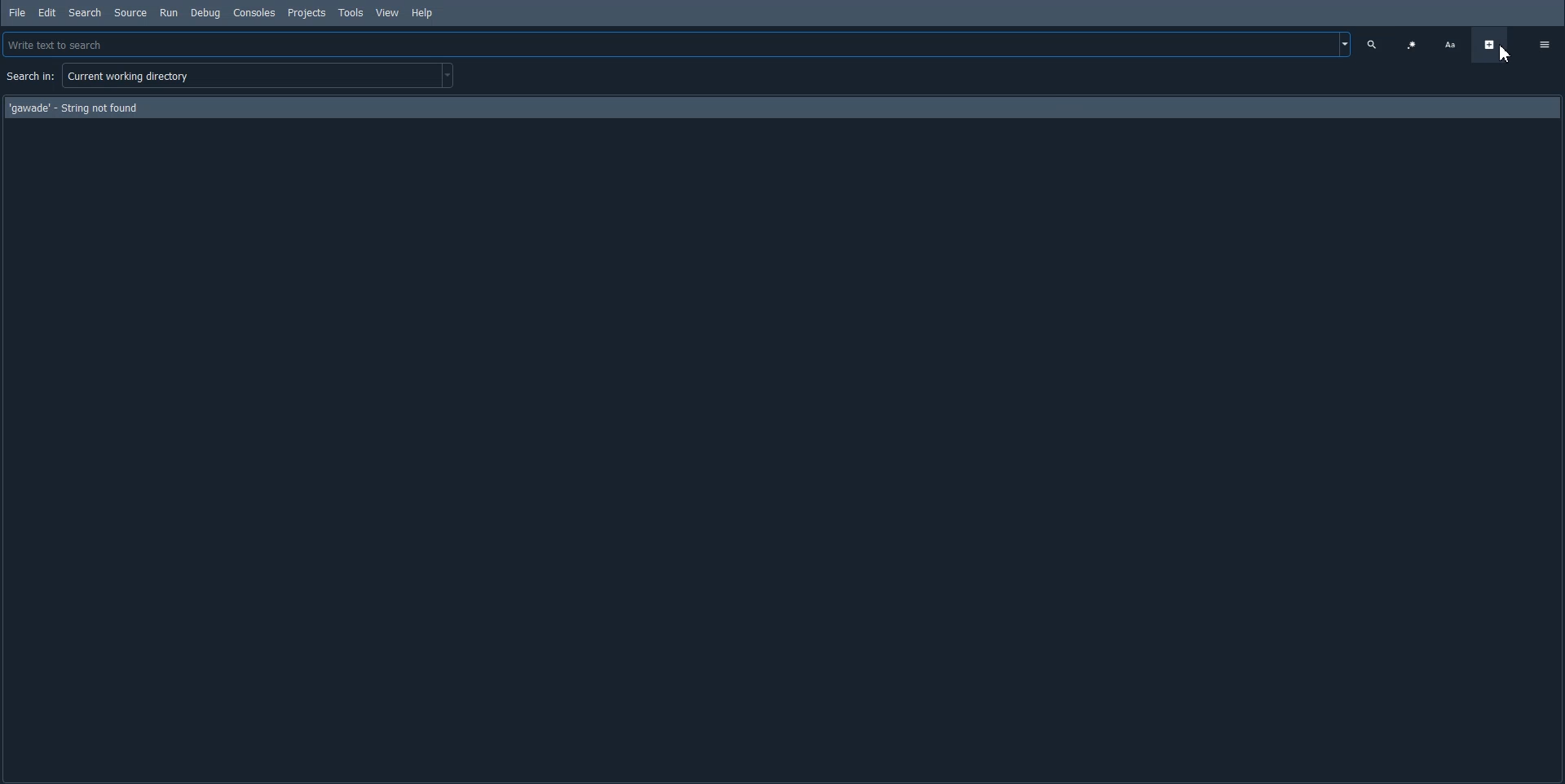 This screenshot has width=1565, height=784. Describe the element at coordinates (131, 12) in the screenshot. I see `Source` at that location.